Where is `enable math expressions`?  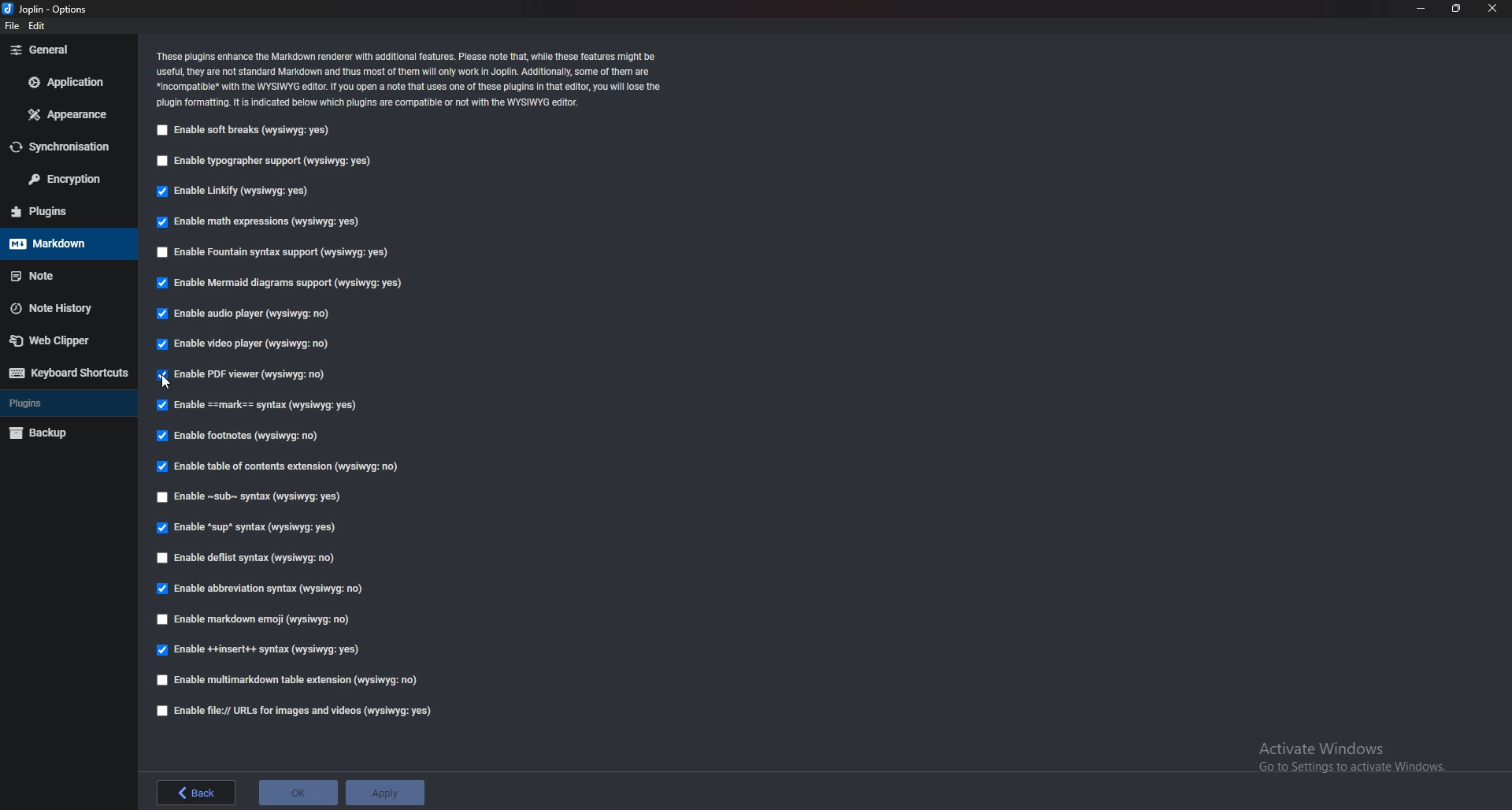
enable math expressions is located at coordinates (261, 224).